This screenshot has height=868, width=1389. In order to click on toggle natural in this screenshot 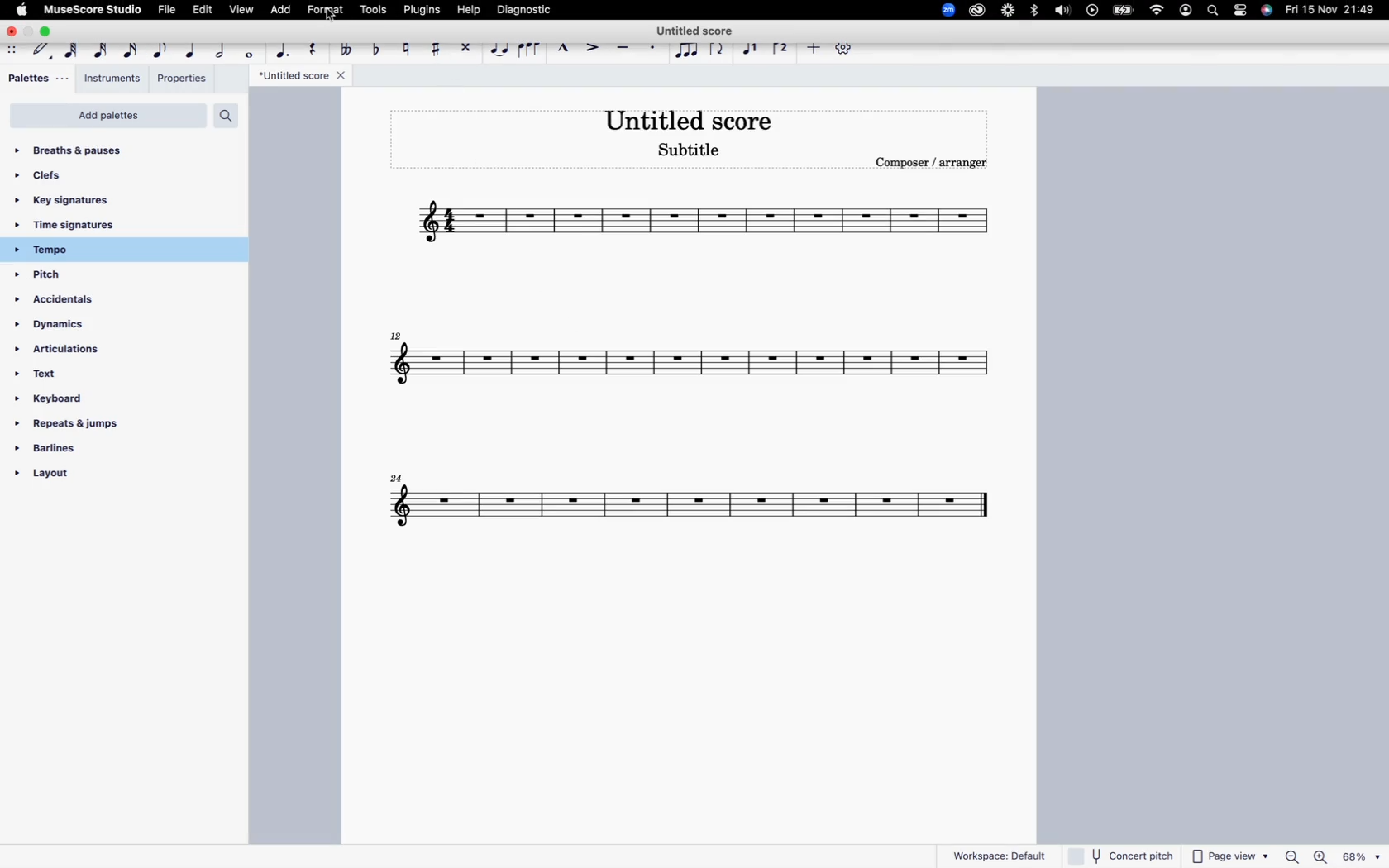, I will do `click(407, 50)`.